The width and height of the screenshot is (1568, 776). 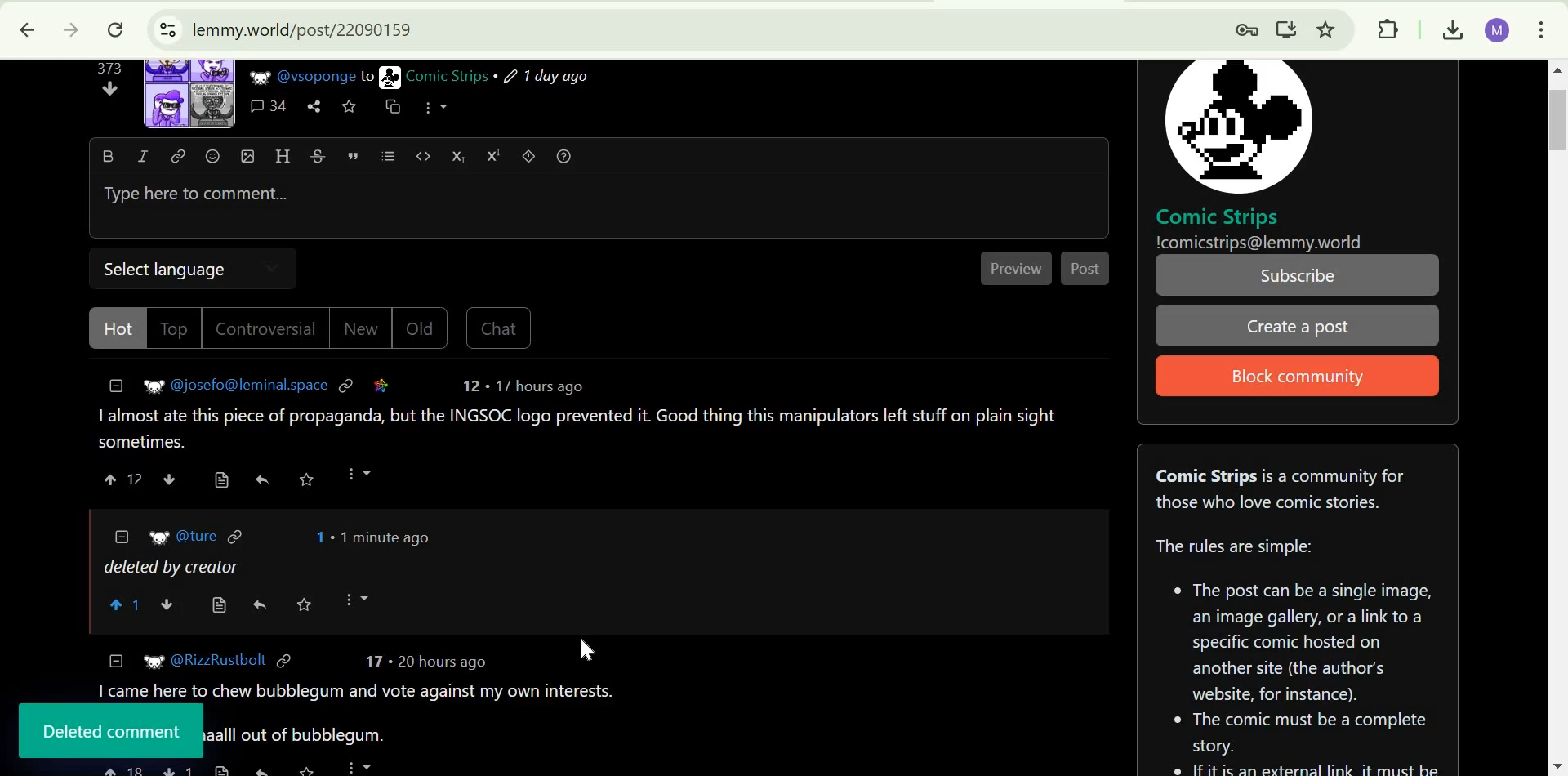 I want to click on more options, so click(x=363, y=599).